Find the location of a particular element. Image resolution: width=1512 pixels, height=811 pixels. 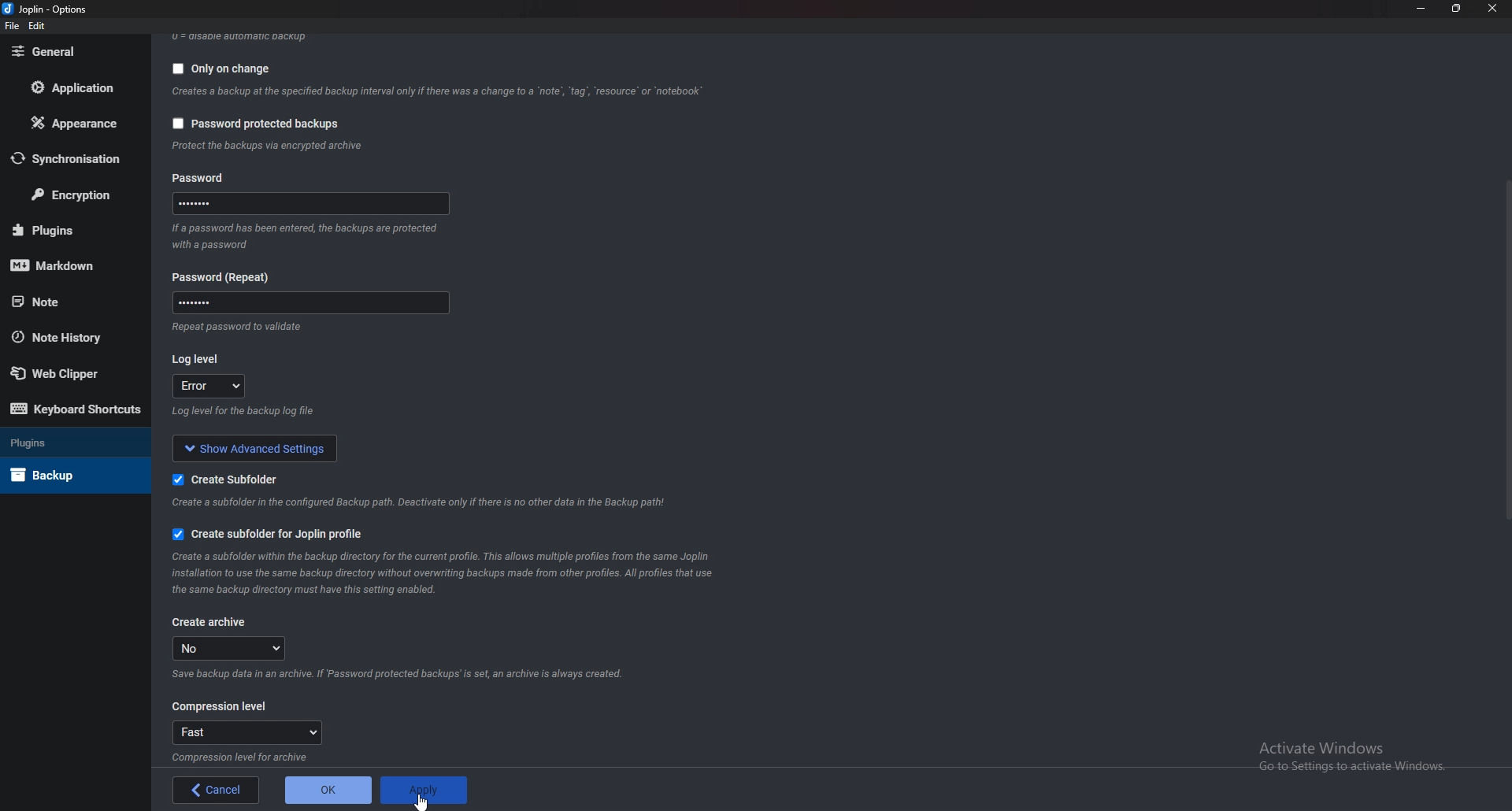

General is located at coordinates (69, 52).